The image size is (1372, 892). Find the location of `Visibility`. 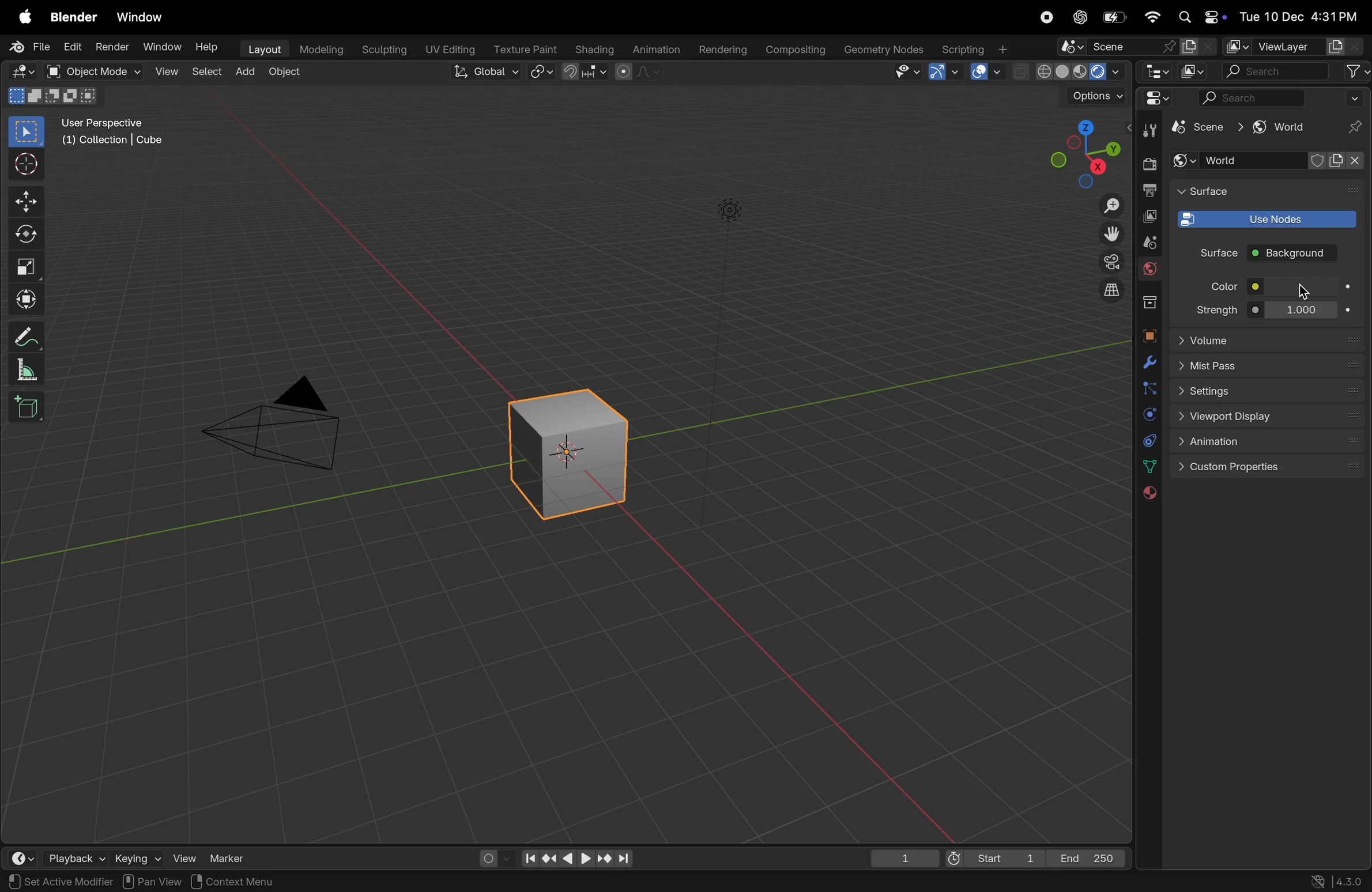

Visibility is located at coordinates (907, 72).